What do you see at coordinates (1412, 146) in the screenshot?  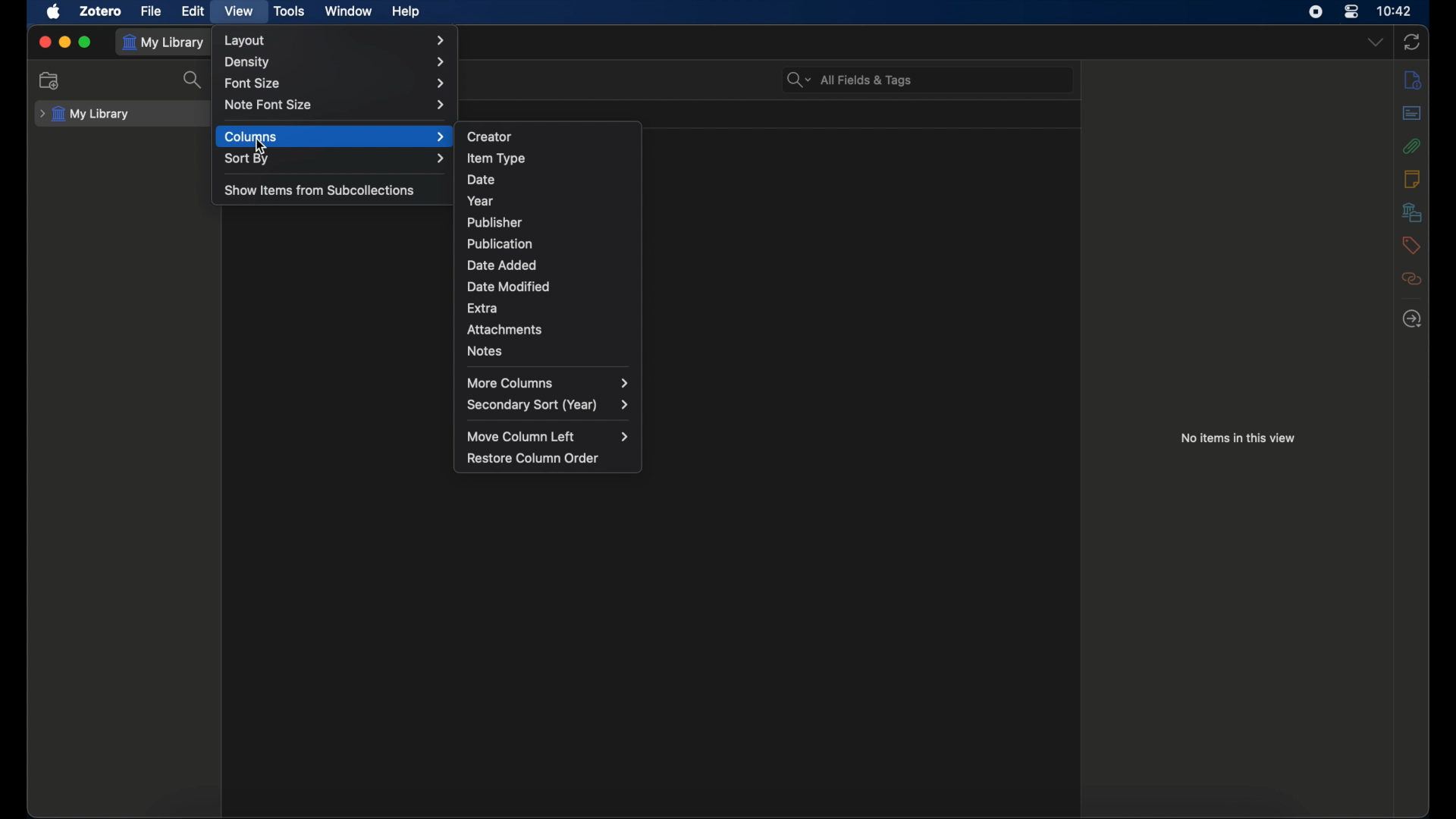 I see `attachments` at bounding box center [1412, 146].